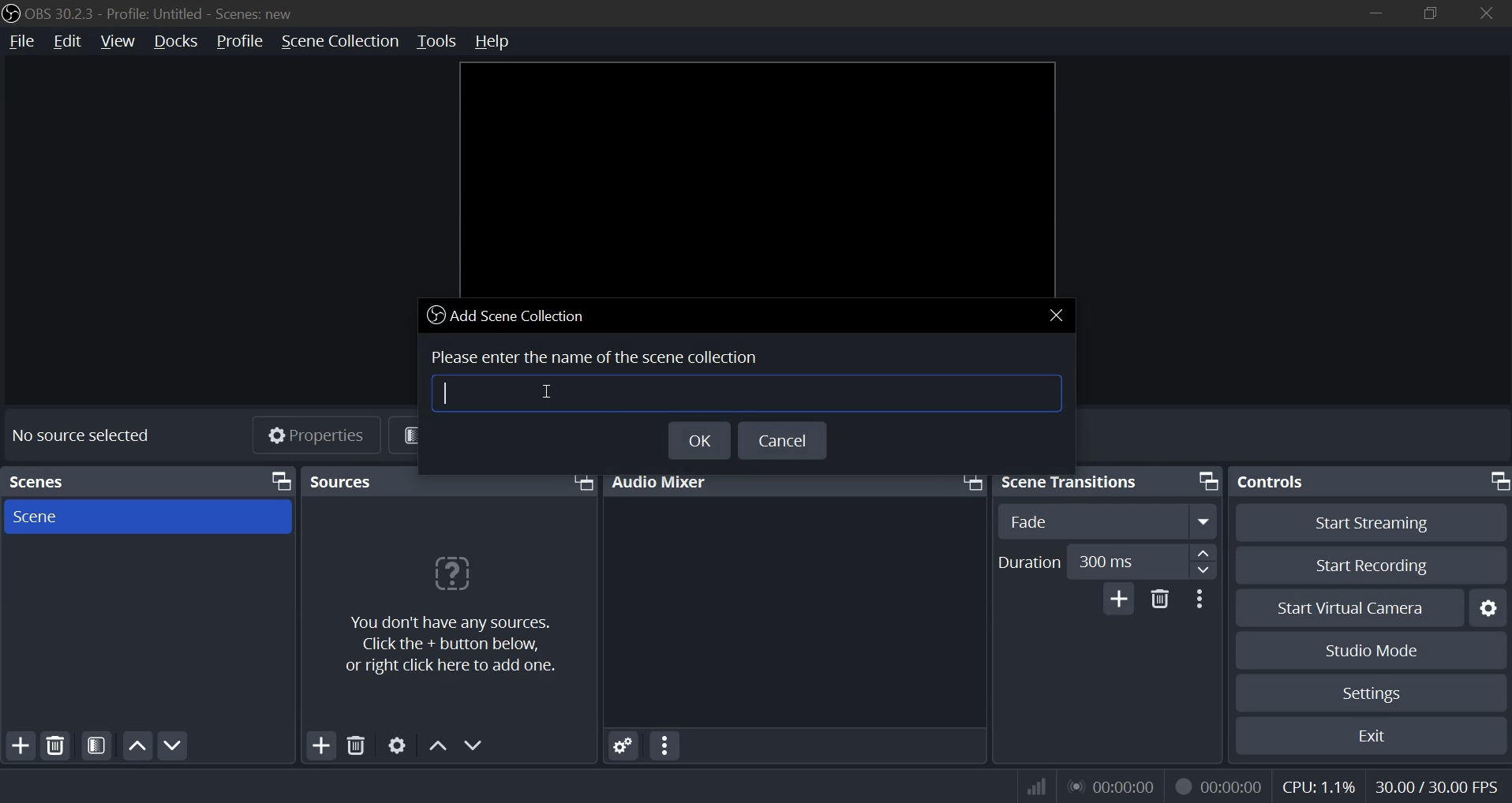  What do you see at coordinates (1201, 570) in the screenshot?
I see `down` at bounding box center [1201, 570].